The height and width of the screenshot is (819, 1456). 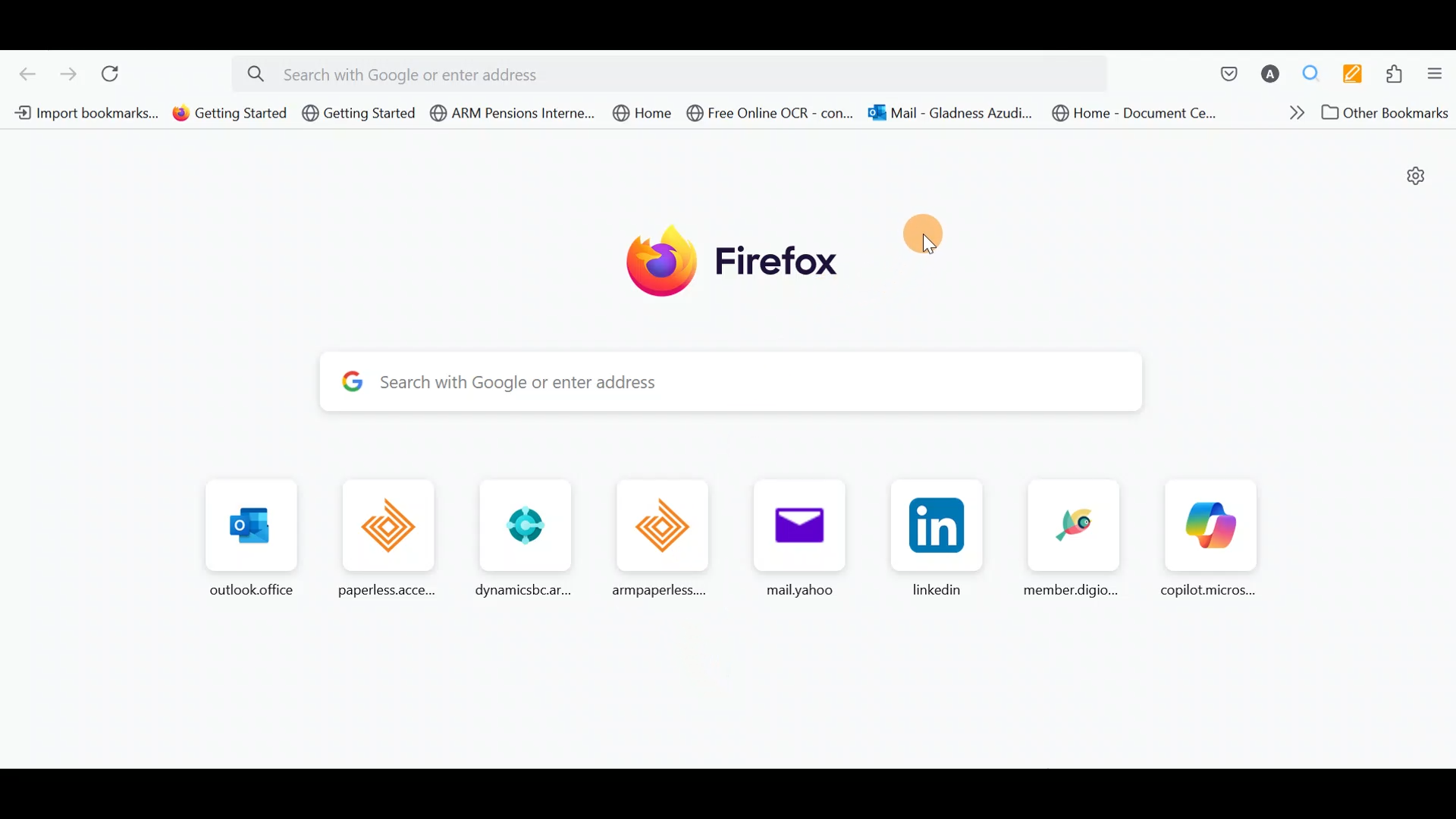 I want to click on Open application menu, so click(x=1439, y=77).